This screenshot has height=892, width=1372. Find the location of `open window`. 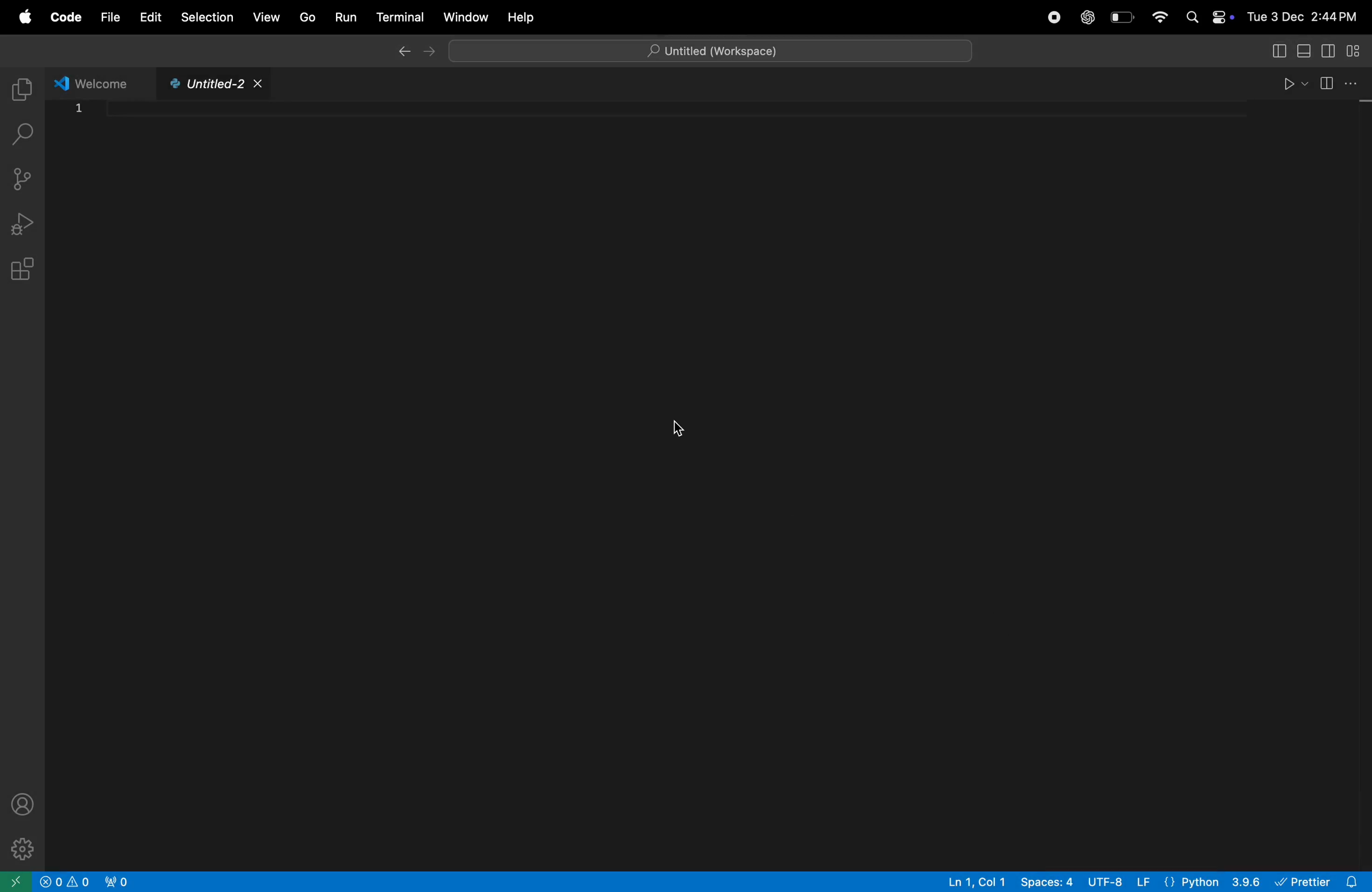

open window is located at coordinates (14, 882).